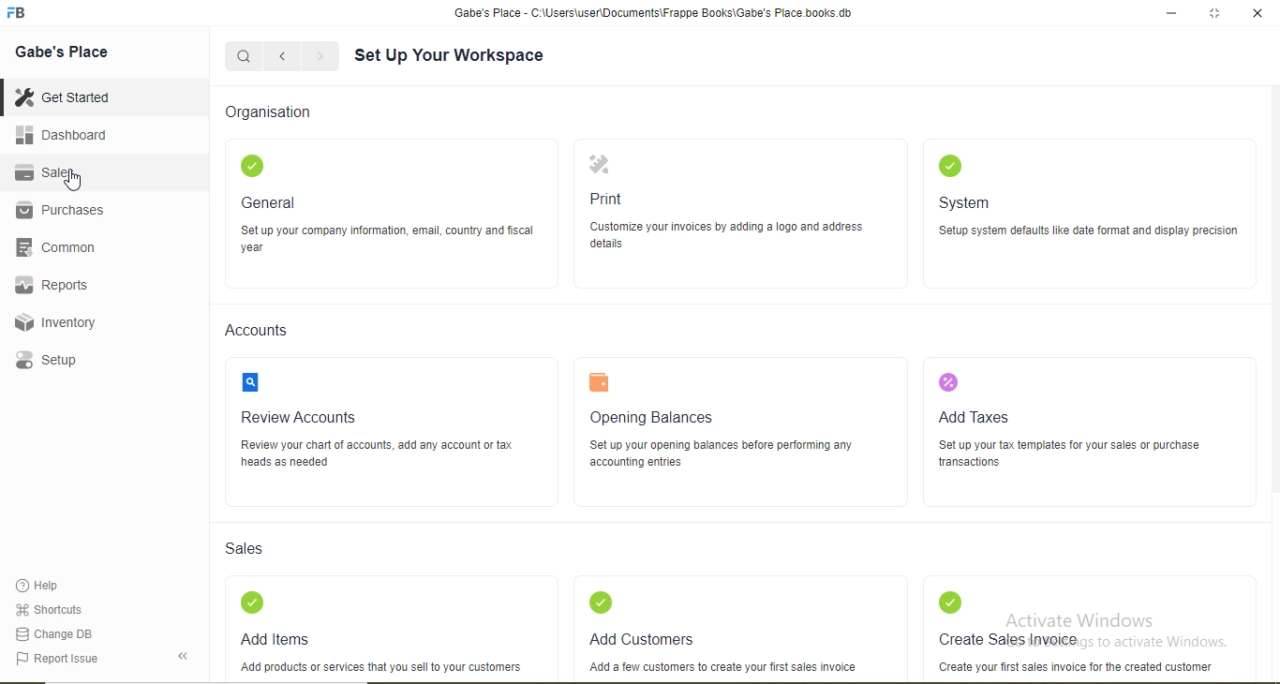 Image resolution: width=1280 pixels, height=684 pixels. What do you see at coordinates (248, 602) in the screenshot?
I see `tick` at bounding box center [248, 602].